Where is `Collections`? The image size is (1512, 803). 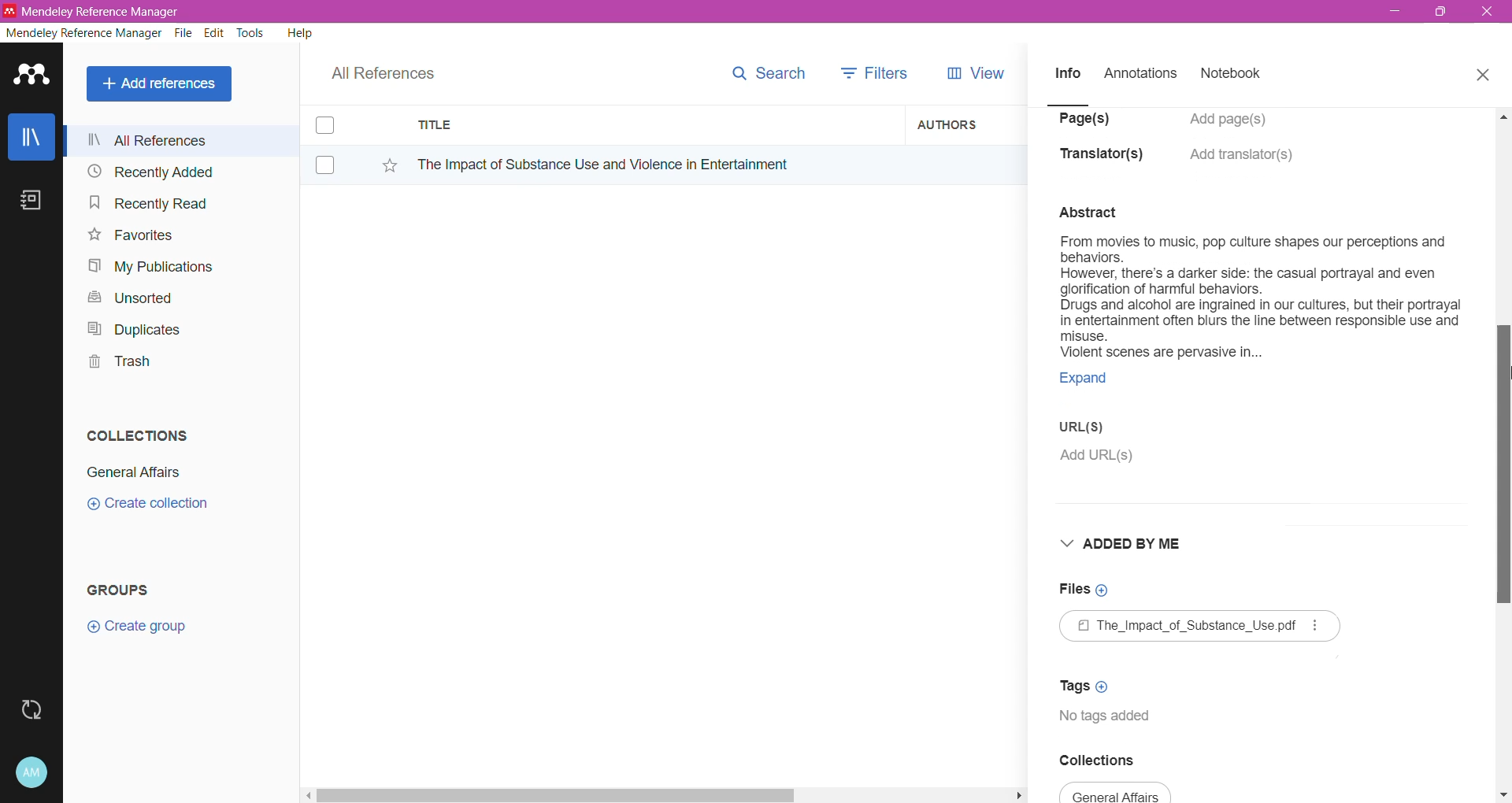
Collections is located at coordinates (133, 432).